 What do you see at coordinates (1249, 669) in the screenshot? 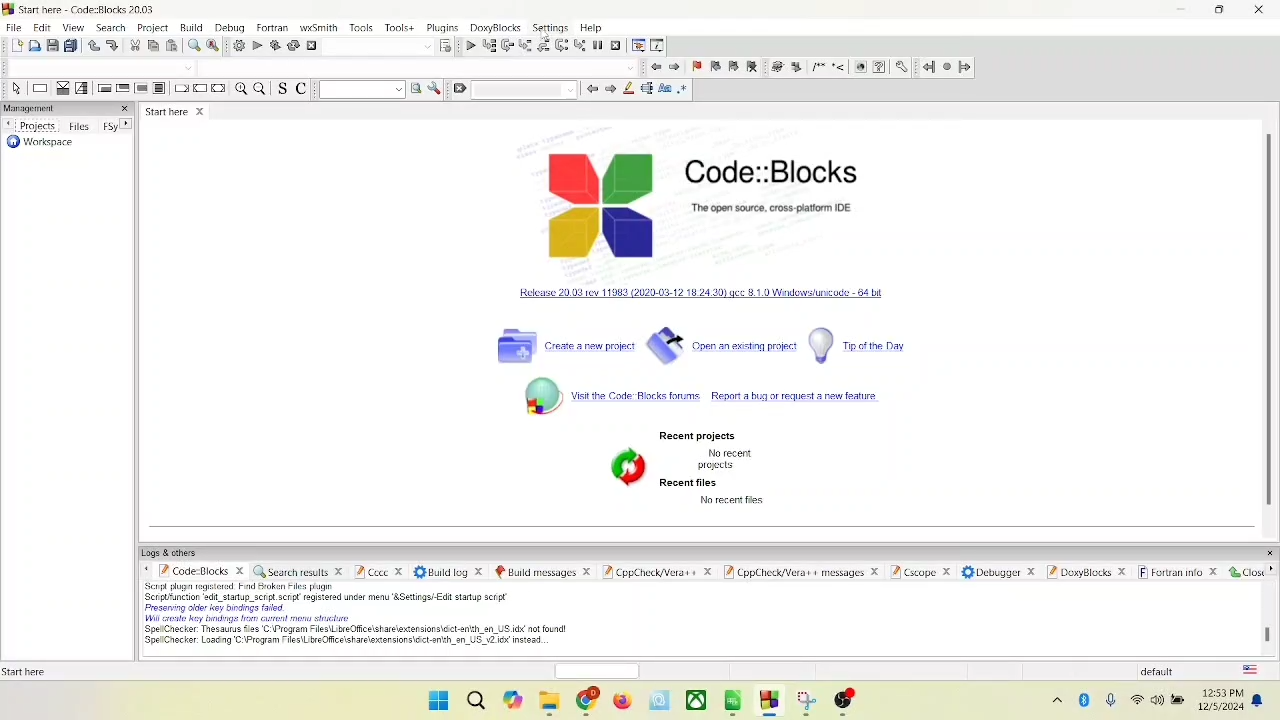
I see `language` at bounding box center [1249, 669].